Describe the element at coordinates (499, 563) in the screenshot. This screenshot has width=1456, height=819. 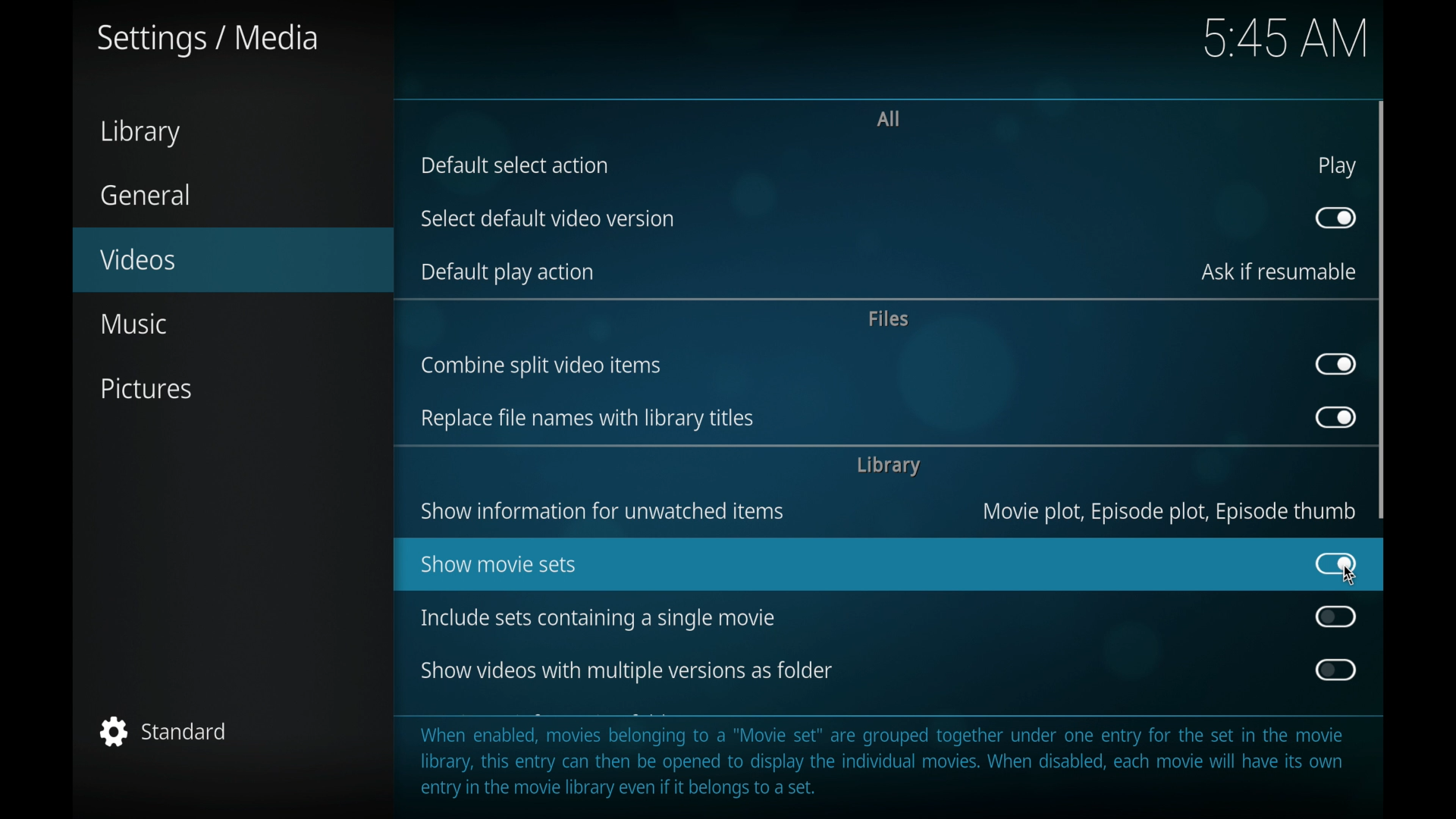
I see `show movie sets` at that location.